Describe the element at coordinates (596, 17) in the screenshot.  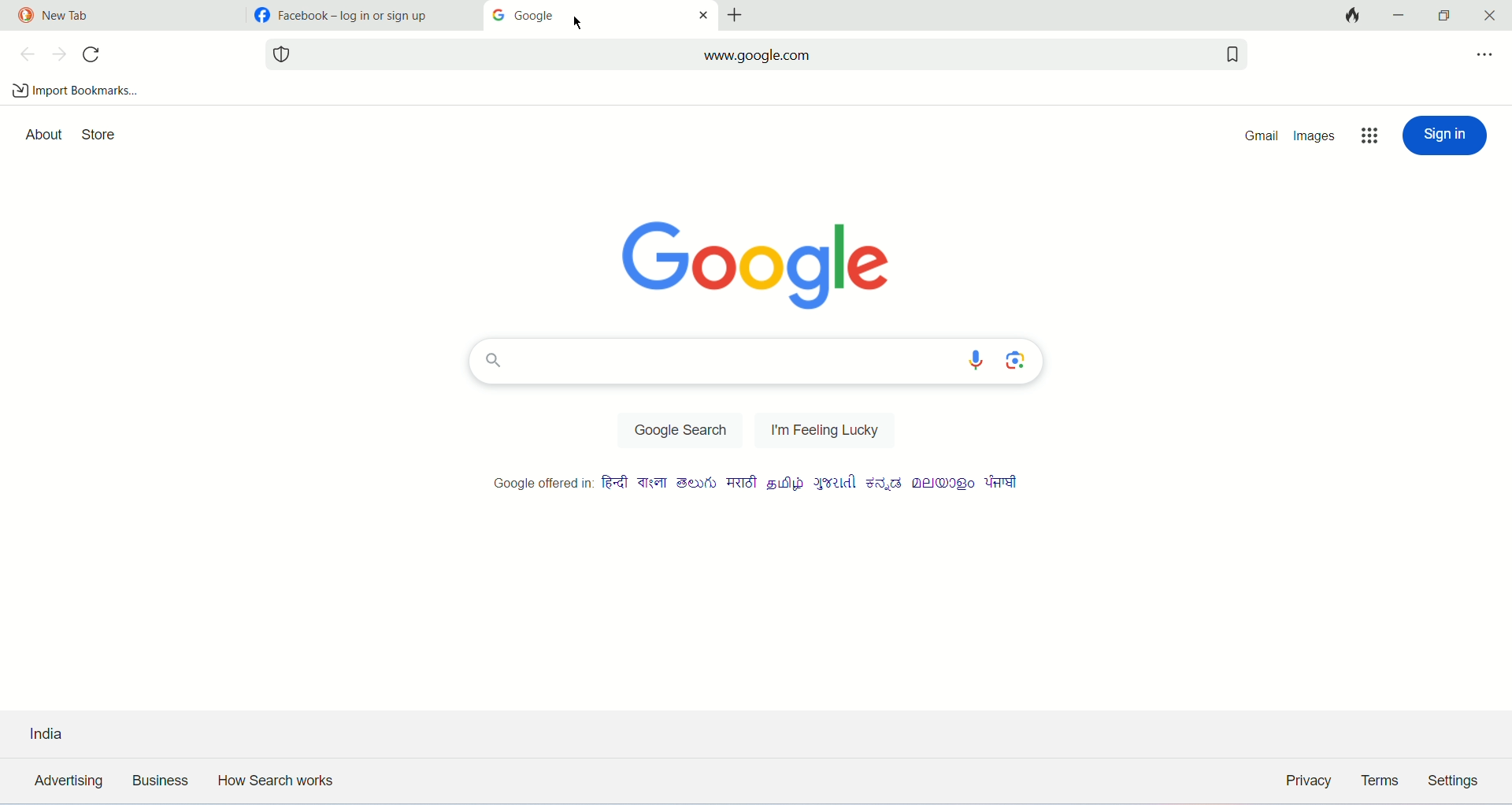
I see `current tab` at that location.